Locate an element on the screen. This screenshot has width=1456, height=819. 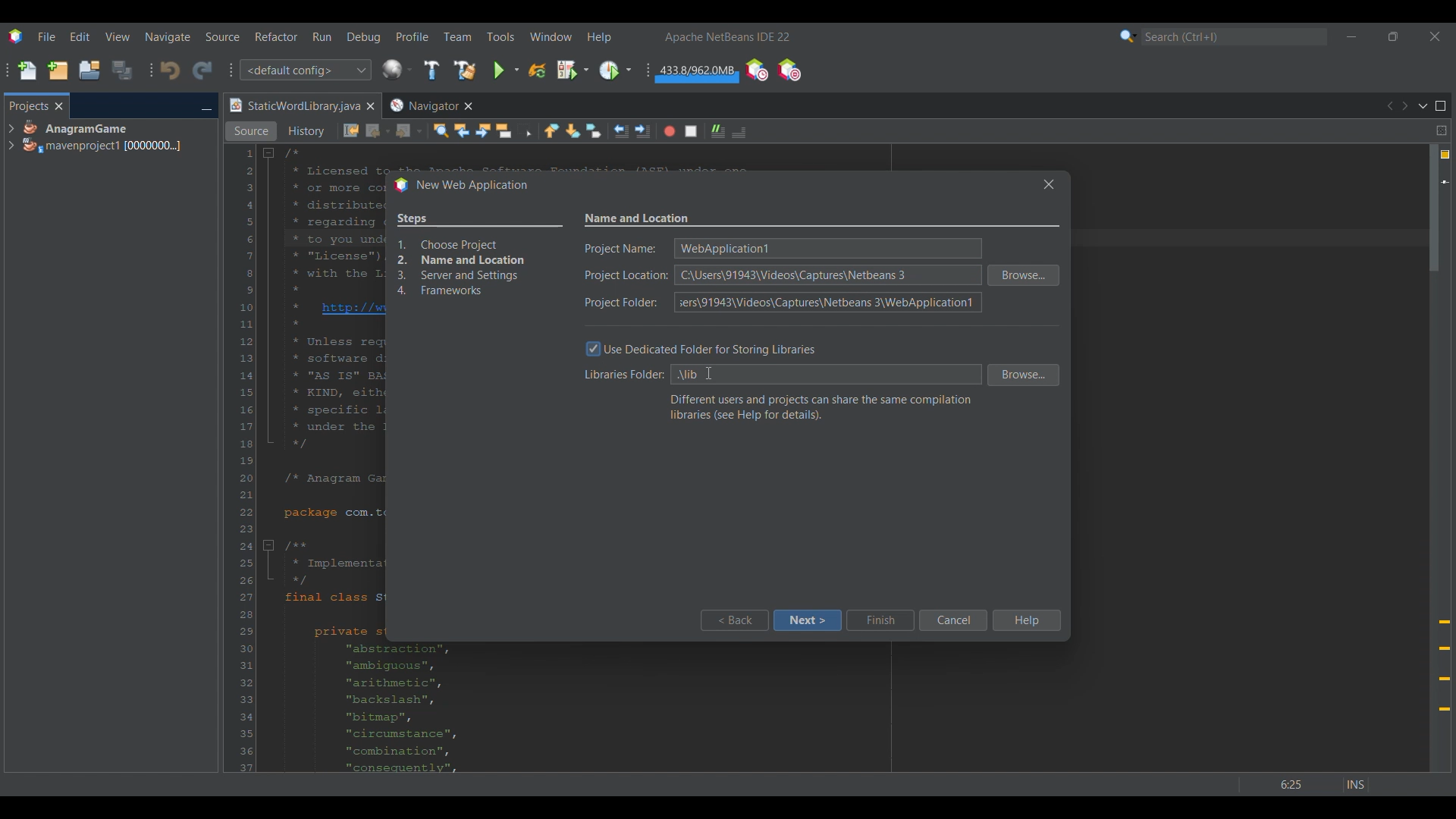
Indicates text box for each mentioned detail is located at coordinates (626, 276).